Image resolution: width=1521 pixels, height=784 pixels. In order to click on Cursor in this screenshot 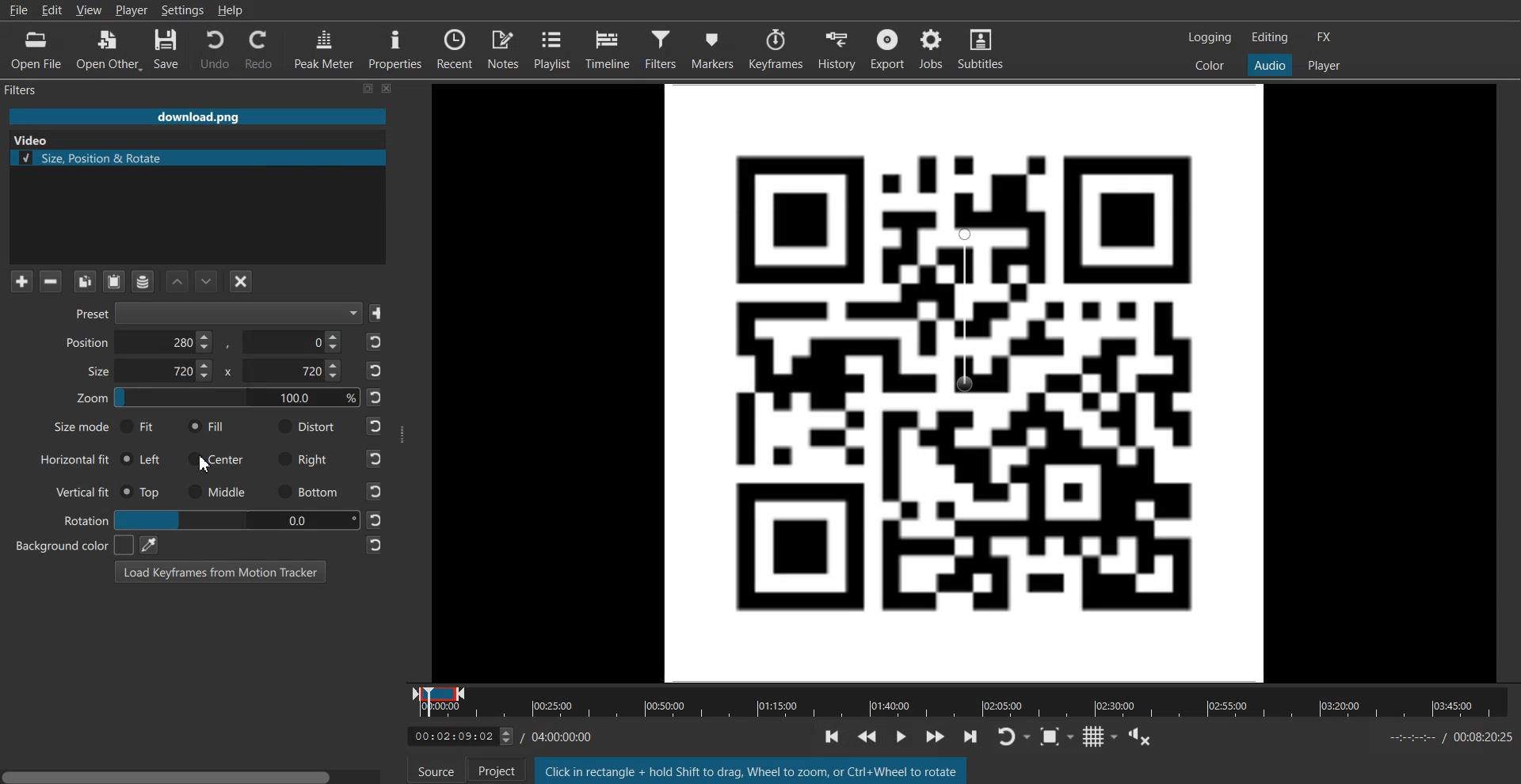, I will do `click(208, 464)`.